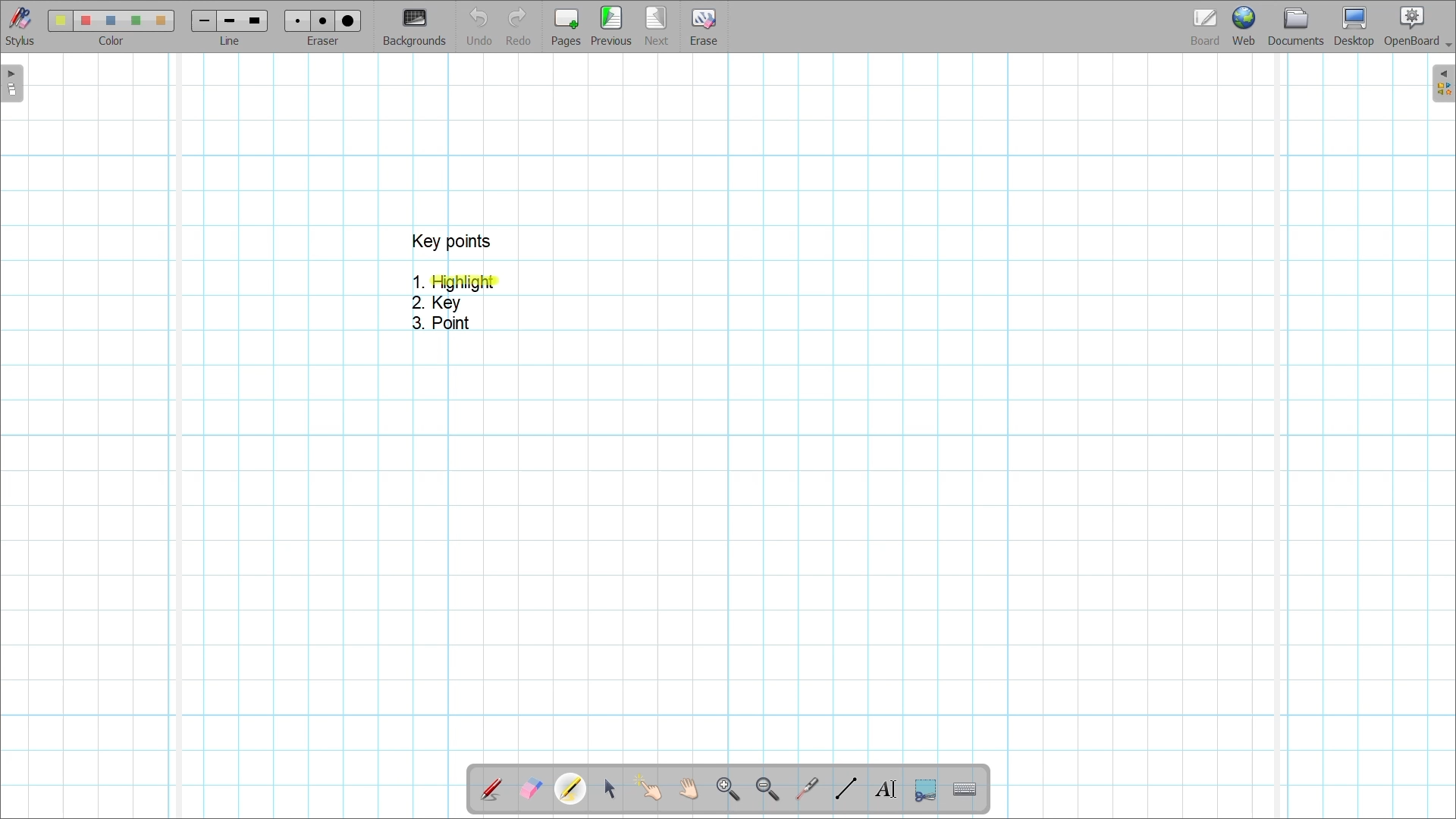 Image resolution: width=1456 pixels, height=819 pixels. What do you see at coordinates (21, 27) in the screenshot?
I see `Stylus menu at the bottom of the page` at bounding box center [21, 27].